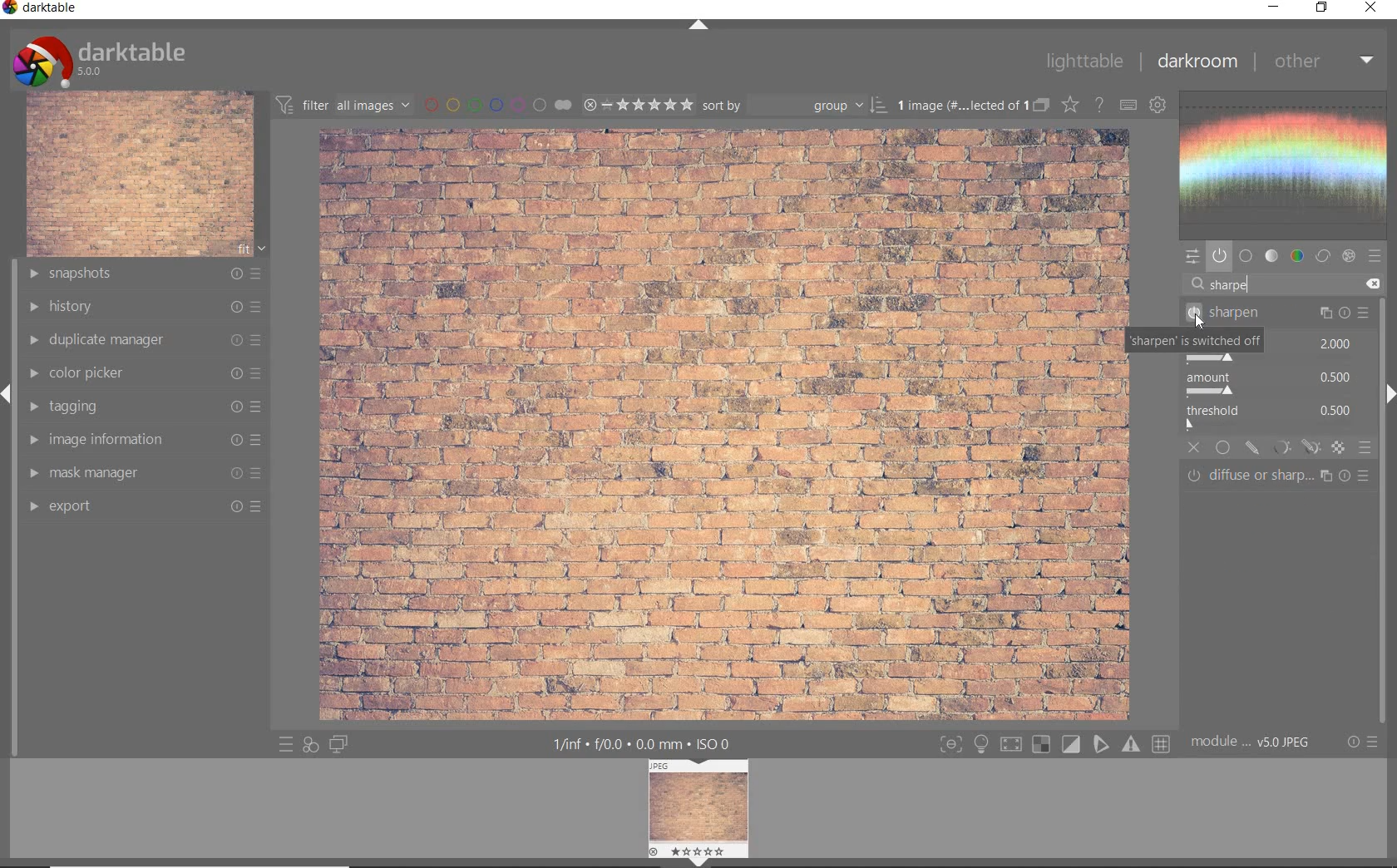 Image resolution: width=1397 pixels, height=868 pixels. I want to click on previous, so click(8, 402).